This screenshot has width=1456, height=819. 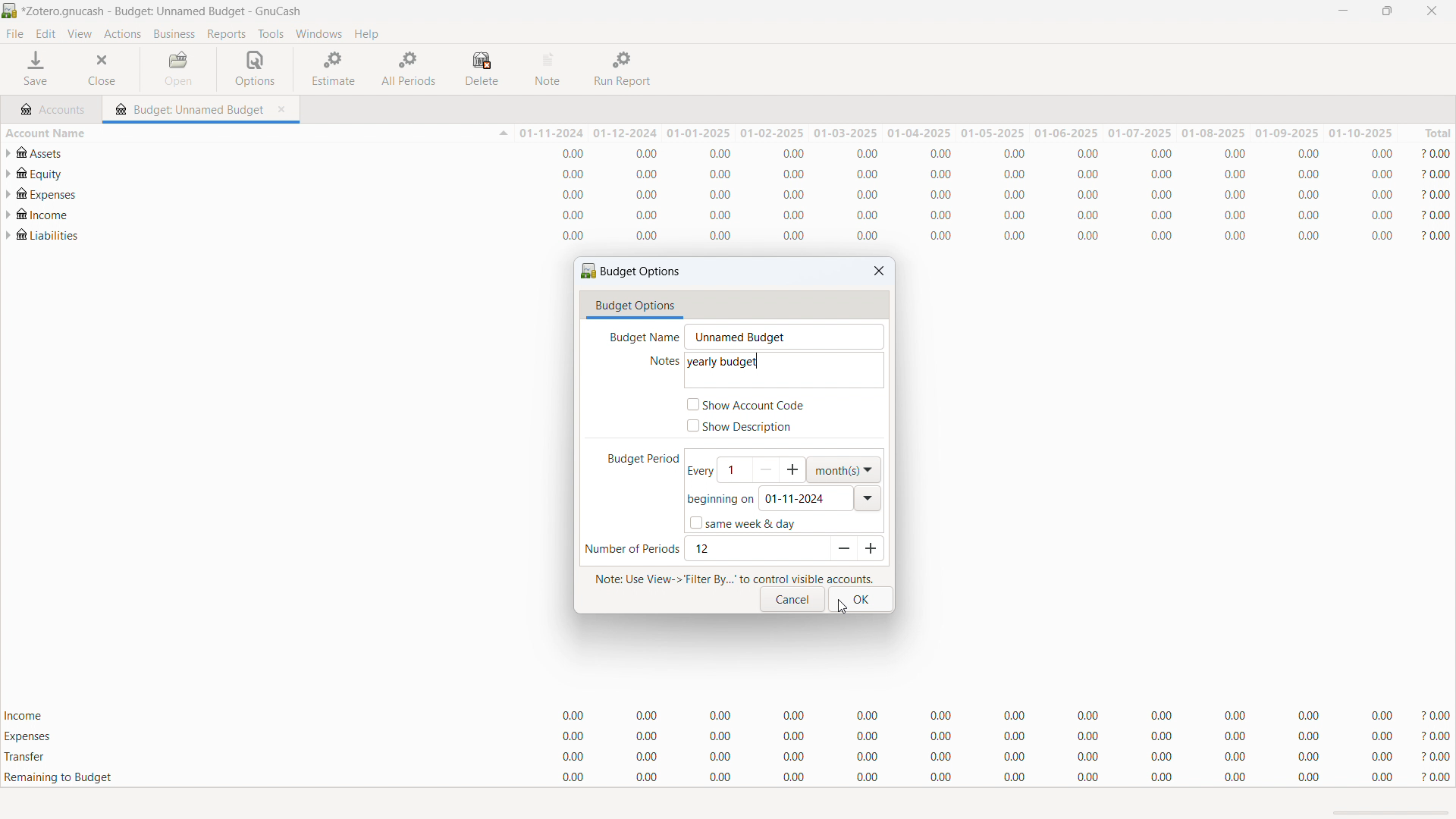 What do you see at coordinates (840, 549) in the screenshot?
I see `decrease period` at bounding box center [840, 549].